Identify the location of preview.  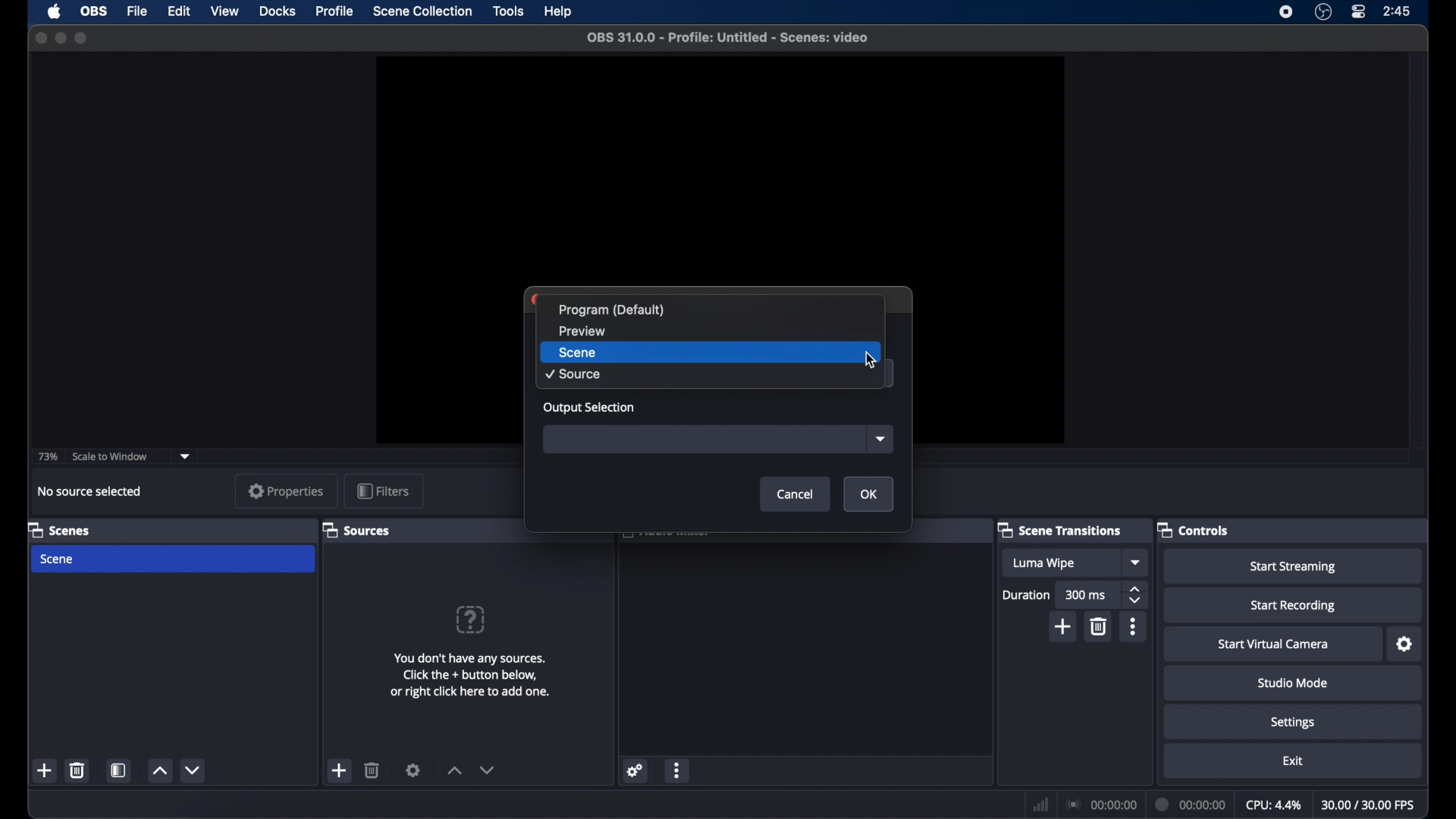
(720, 167).